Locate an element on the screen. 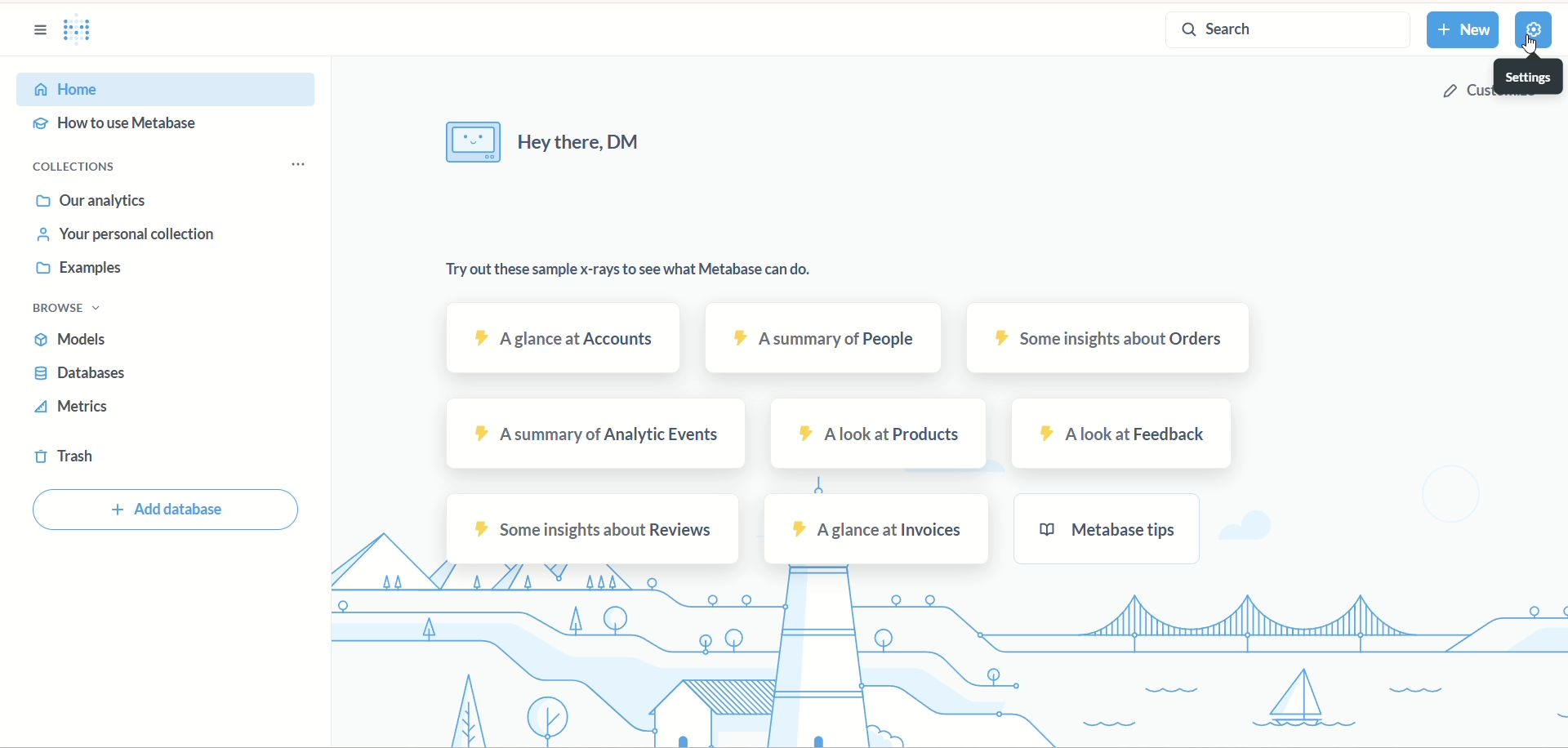  collections is located at coordinates (175, 166).